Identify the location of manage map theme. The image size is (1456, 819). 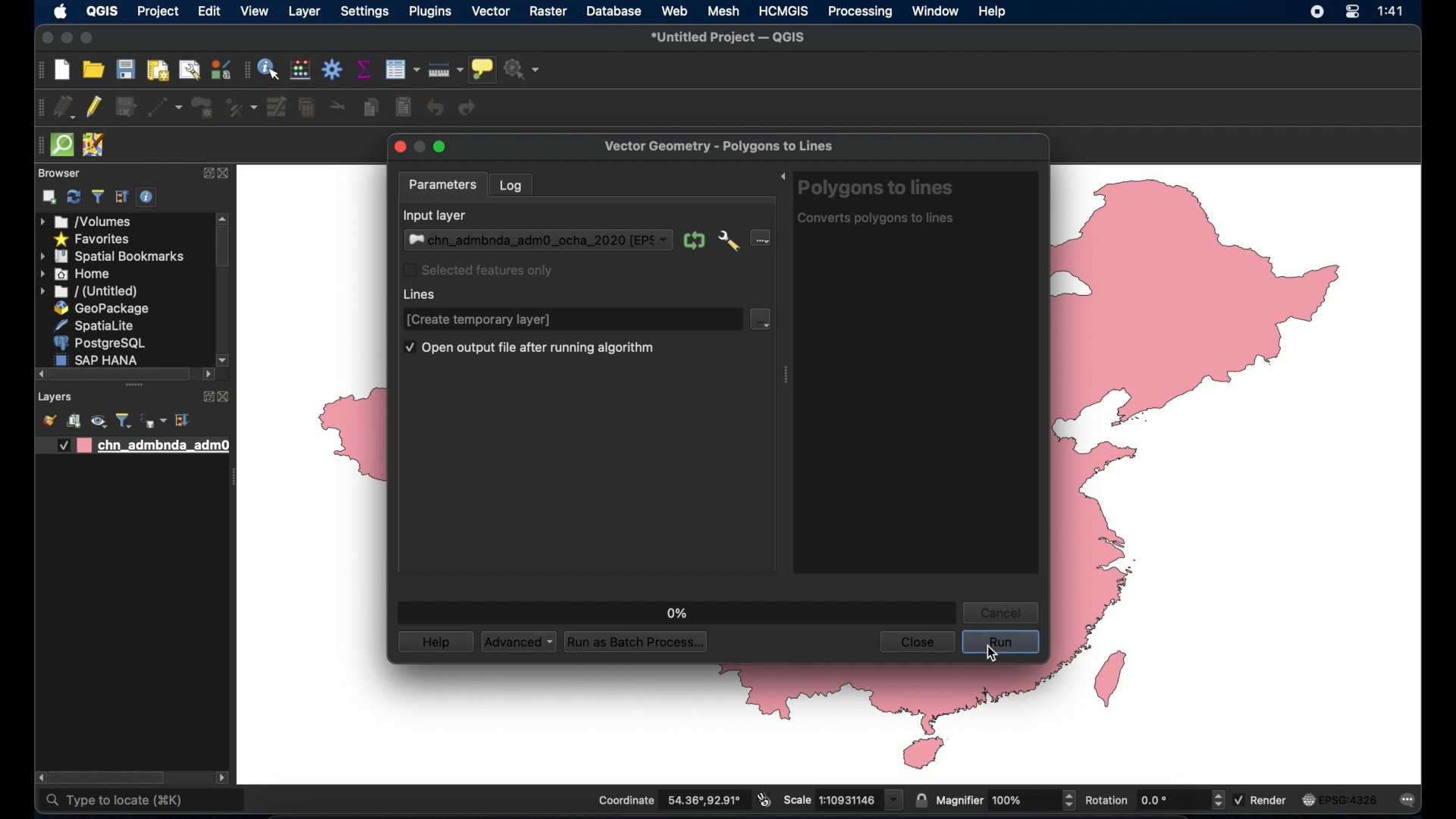
(99, 421).